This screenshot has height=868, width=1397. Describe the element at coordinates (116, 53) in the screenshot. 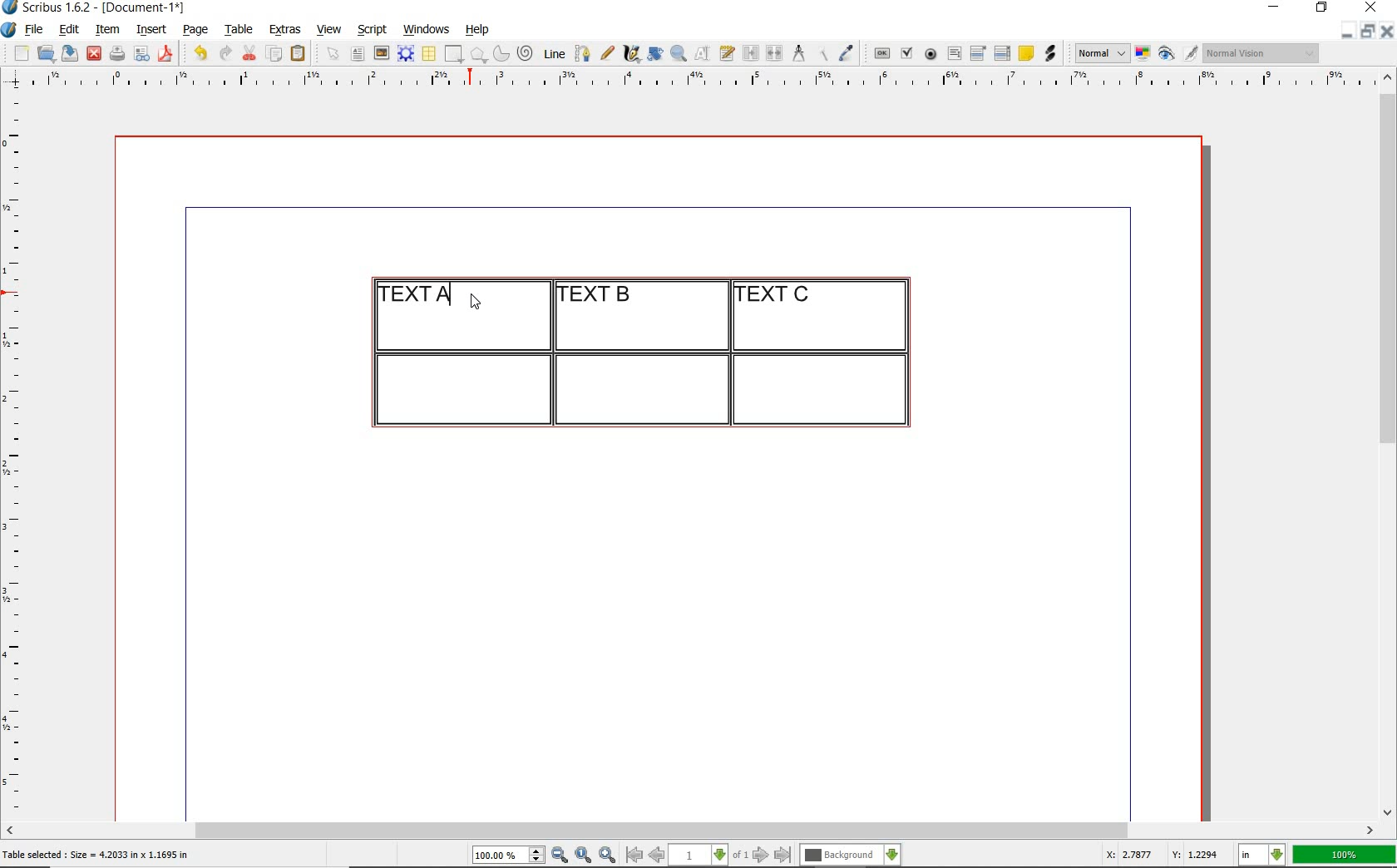

I see `print` at that location.